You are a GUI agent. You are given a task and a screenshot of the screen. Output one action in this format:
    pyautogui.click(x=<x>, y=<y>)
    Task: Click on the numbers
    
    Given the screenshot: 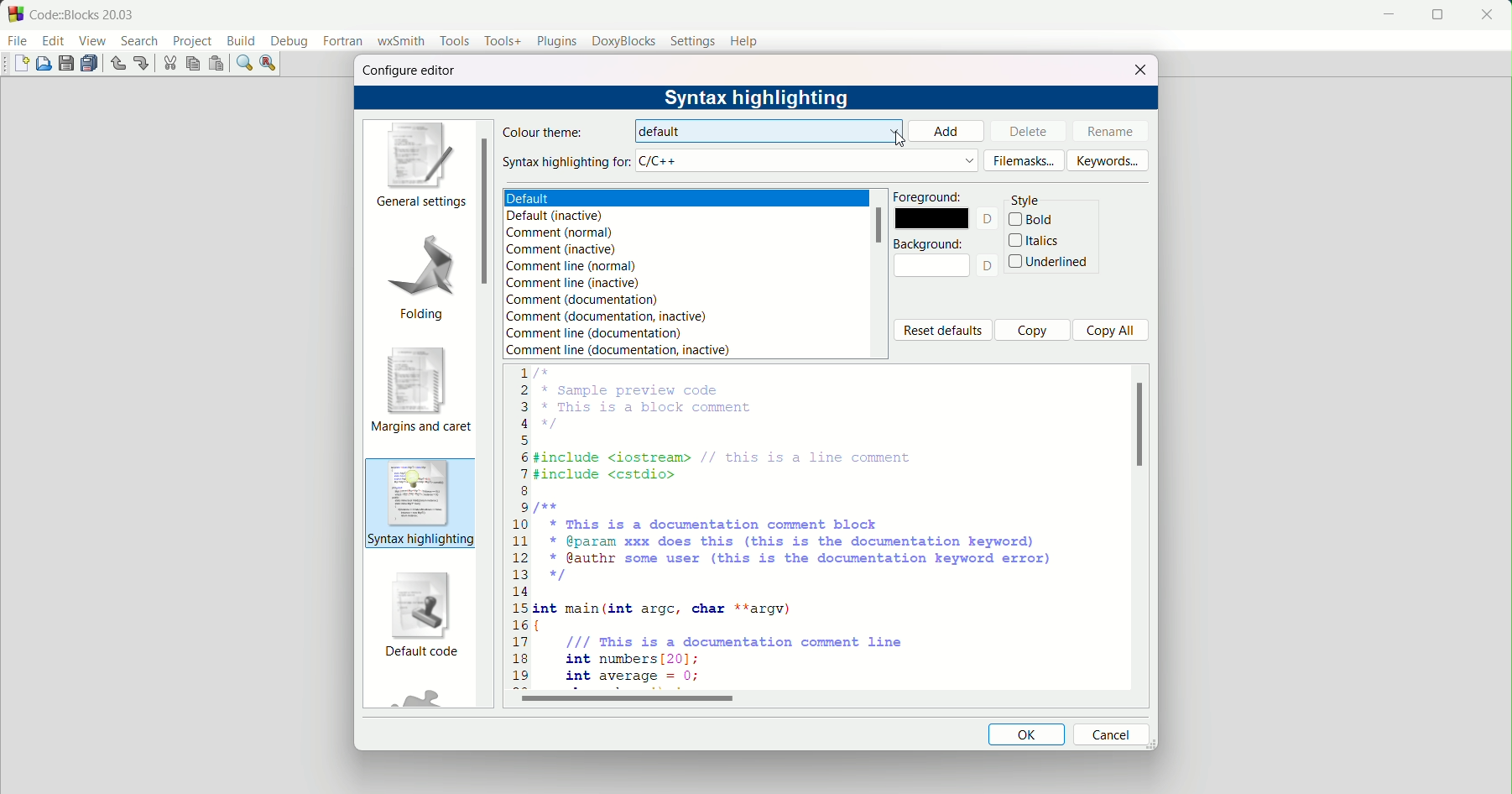 What is the action you would take?
    pyautogui.click(x=518, y=529)
    